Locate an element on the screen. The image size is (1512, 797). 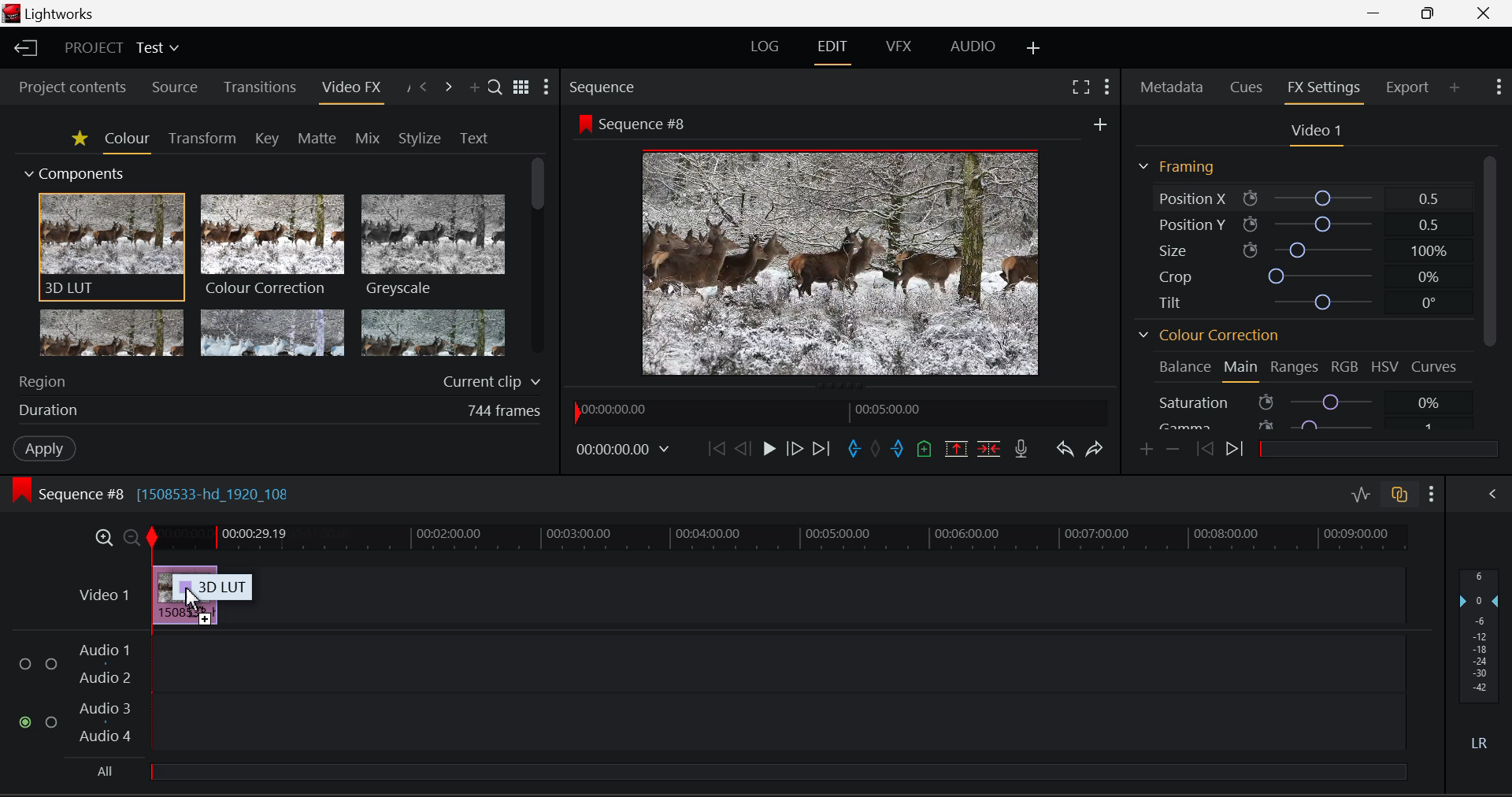
Show Settings is located at coordinates (1431, 494).